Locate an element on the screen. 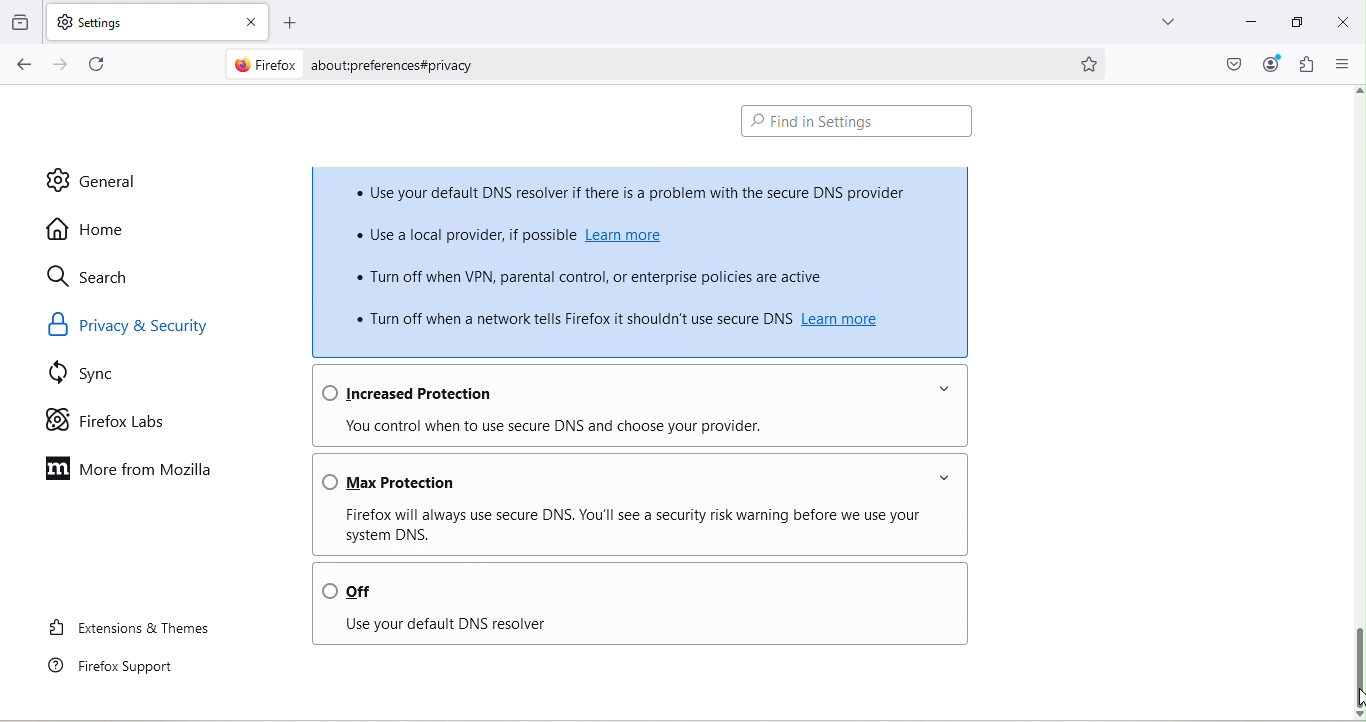 The image size is (1366, 722). You control when to use DNS and choose your provider is located at coordinates (634, 429).